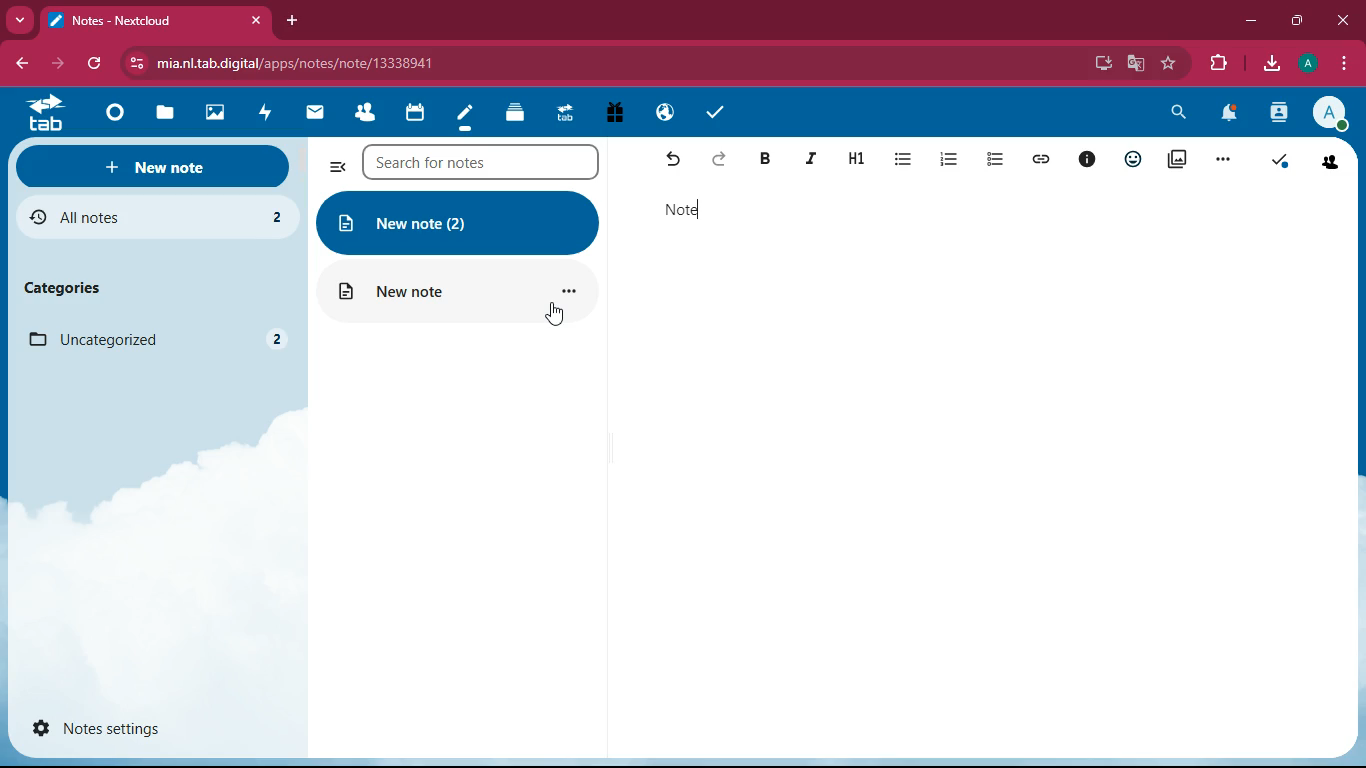  Describe the element at coordinates (1346, 63) in the screenshot. I see `menu` at that location.